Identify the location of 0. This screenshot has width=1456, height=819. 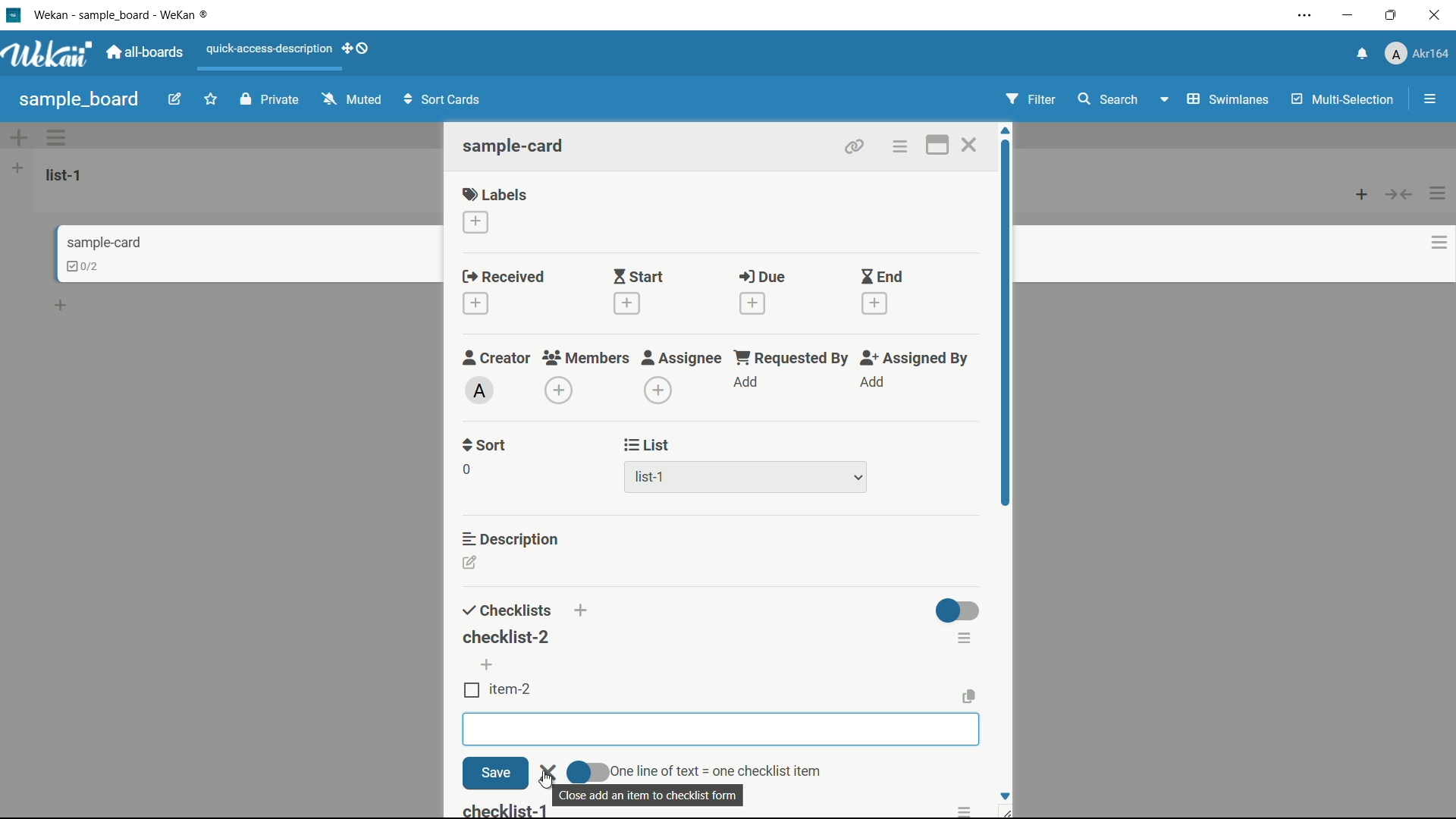
(466, 469).